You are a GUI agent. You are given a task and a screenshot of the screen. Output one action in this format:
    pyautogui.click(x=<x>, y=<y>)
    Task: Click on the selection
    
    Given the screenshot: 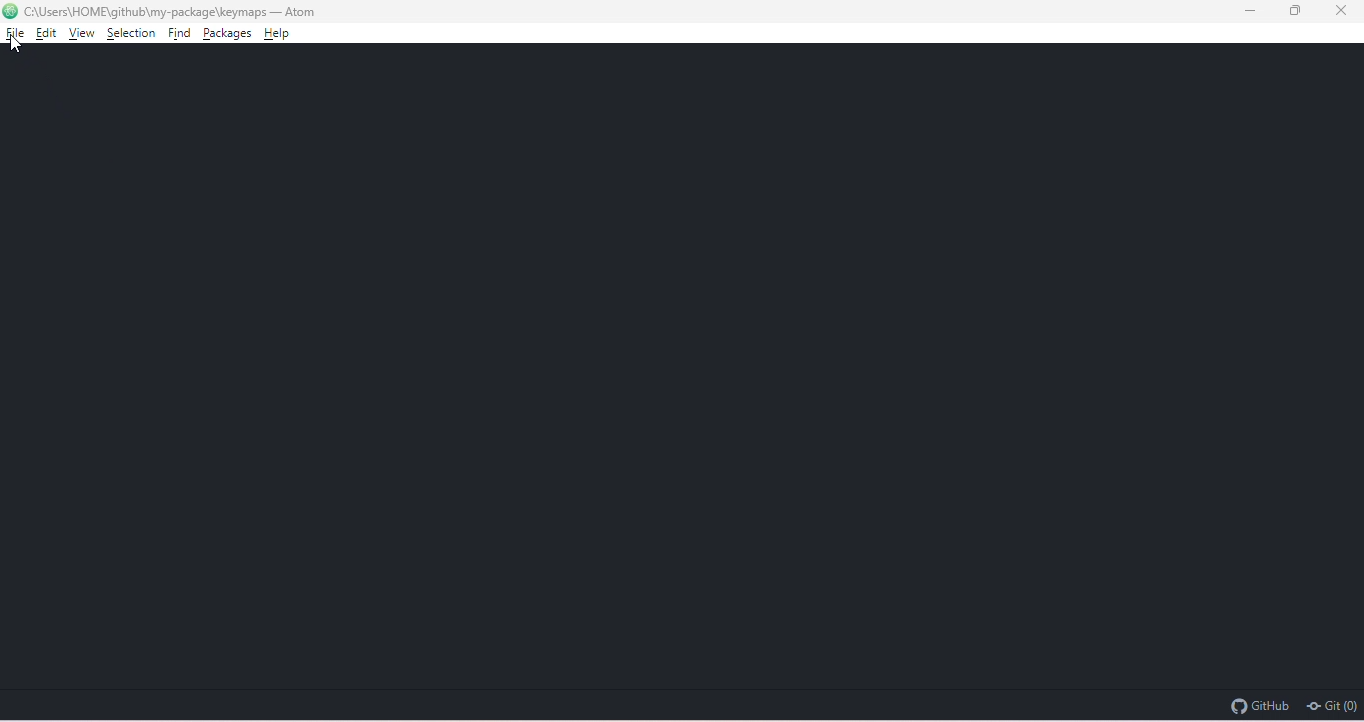 What is the action you would take?
    pyautogui.click(x=133, y=34)
    